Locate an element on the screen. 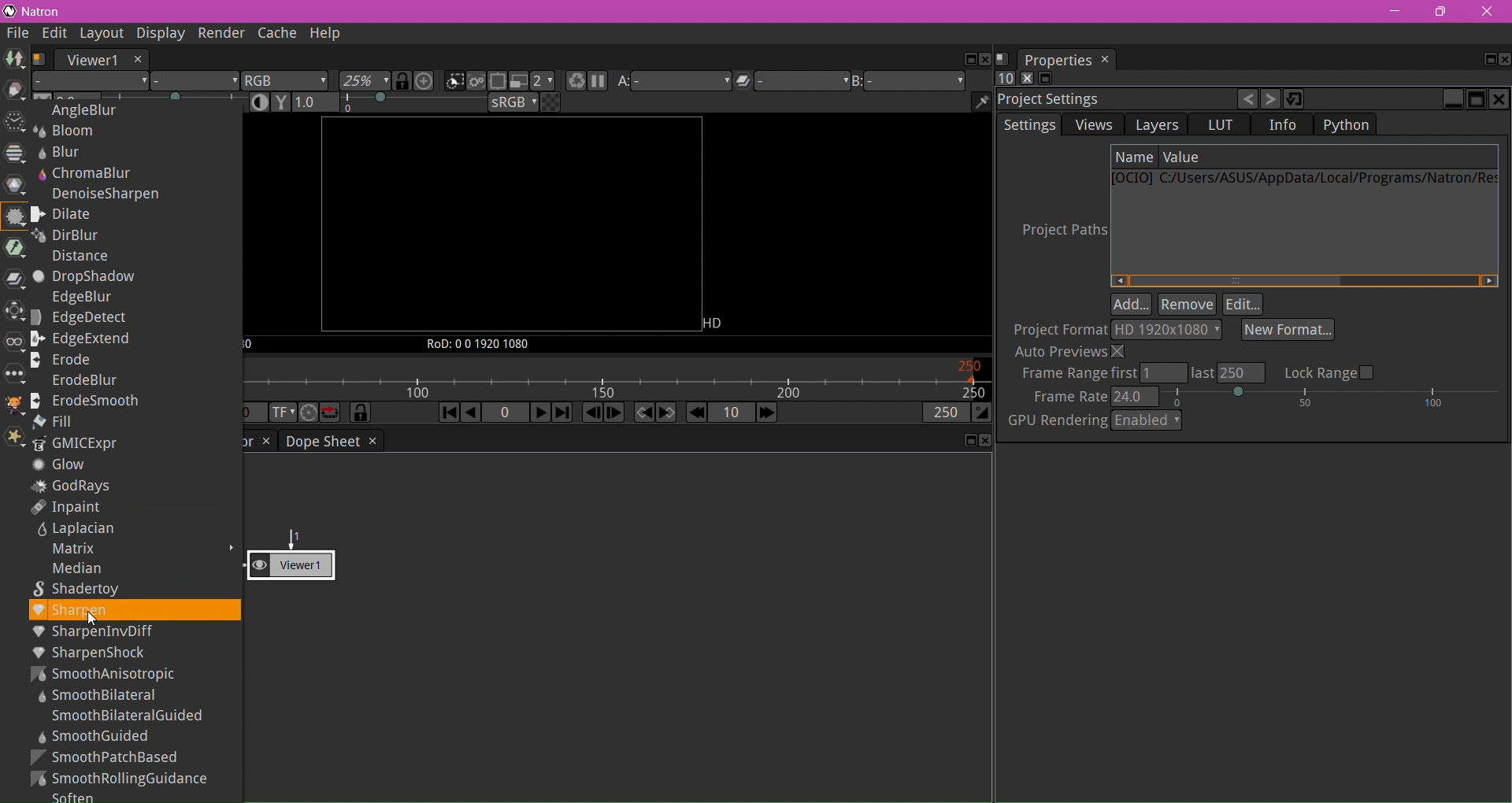  Clips the portion of the image displayed on the viewer to the input stream format is located at coordinates (454, 82).